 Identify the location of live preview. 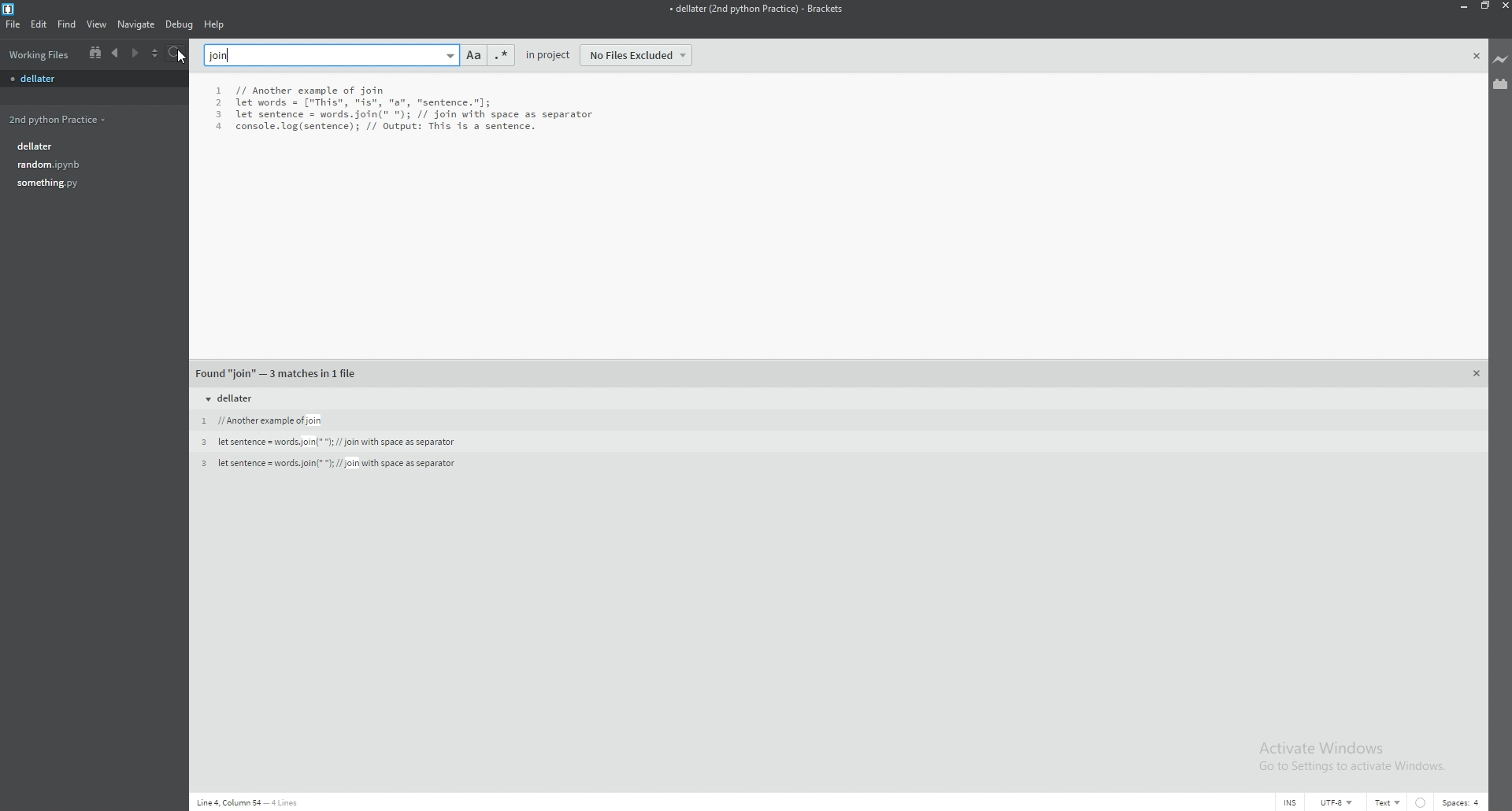
(1502, 57).